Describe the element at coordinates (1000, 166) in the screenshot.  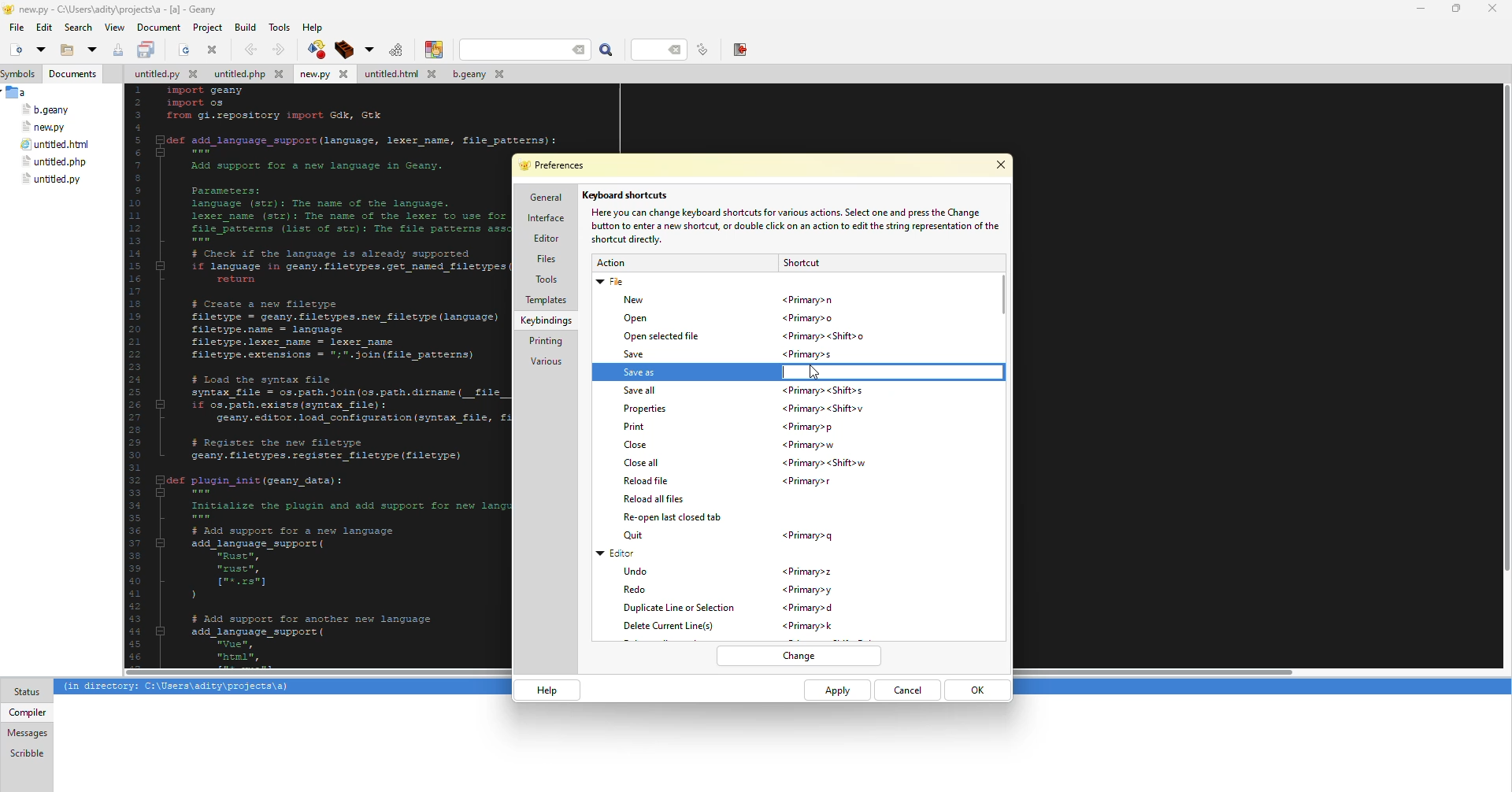
I see `close` at that location.